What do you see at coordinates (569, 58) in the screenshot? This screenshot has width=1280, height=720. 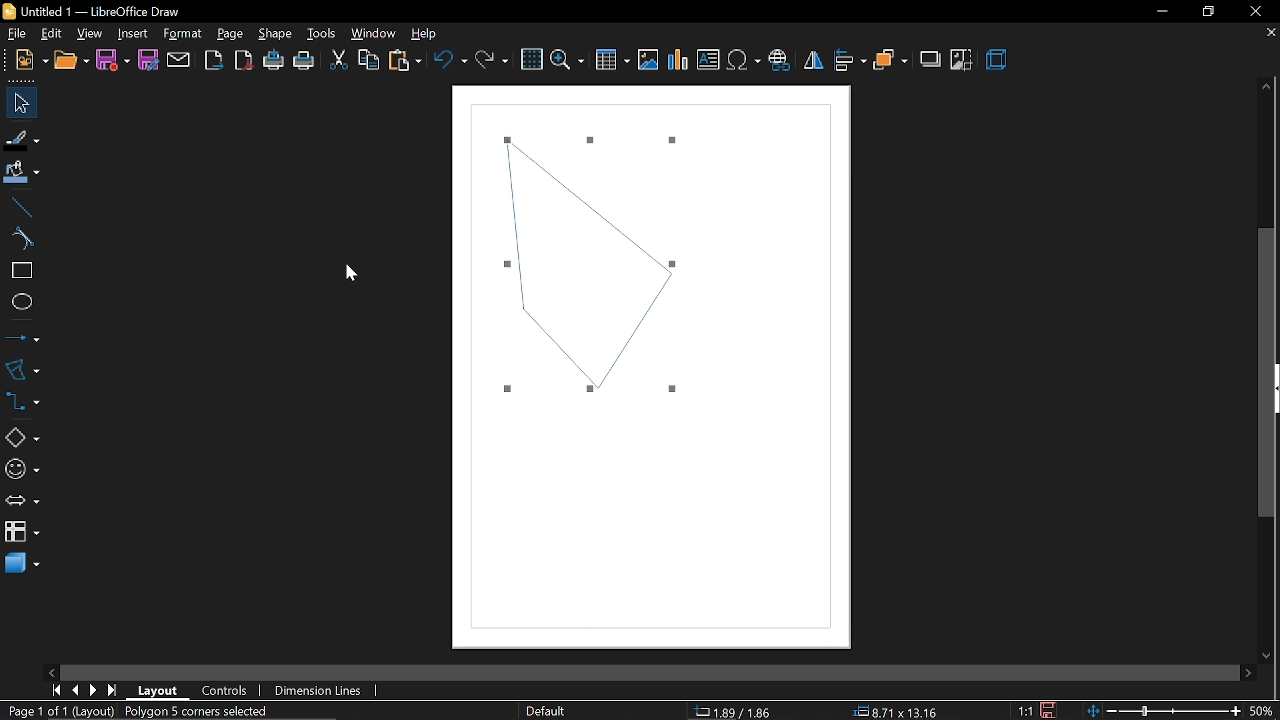 I see `zoom` at bounding box center [569, 58].